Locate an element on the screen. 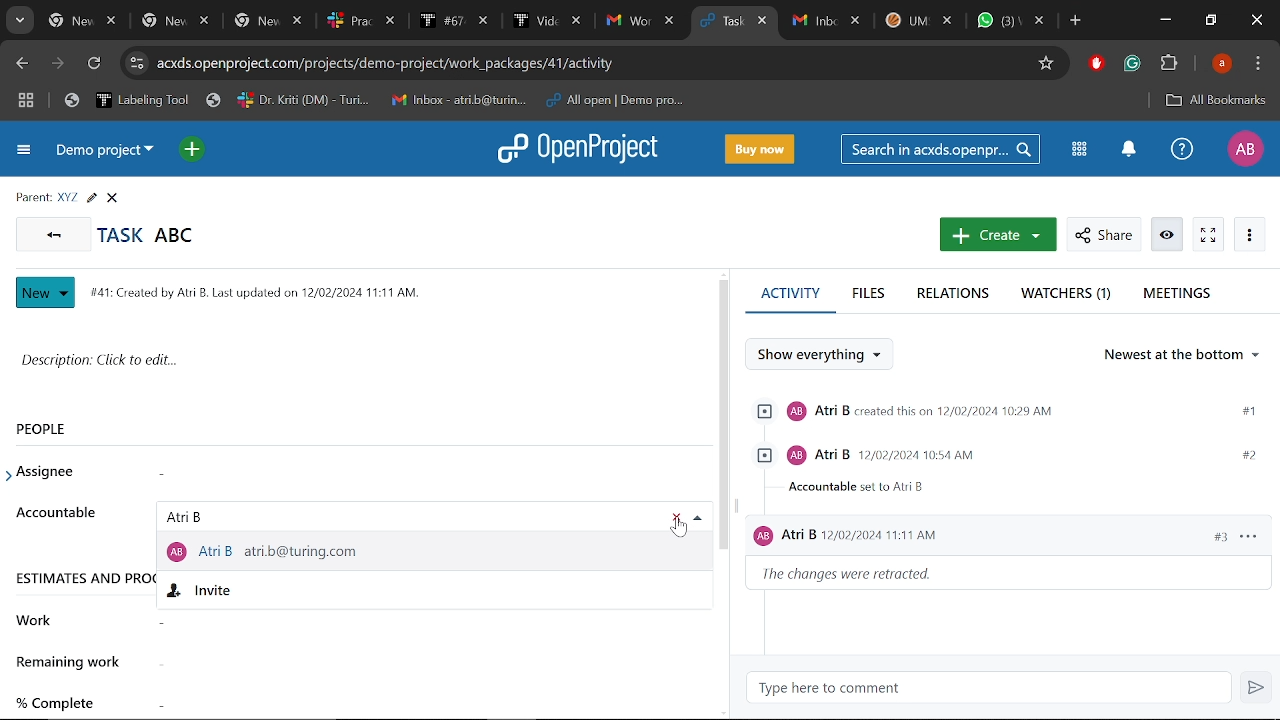  Current site address is located at coordinates (592, 63).